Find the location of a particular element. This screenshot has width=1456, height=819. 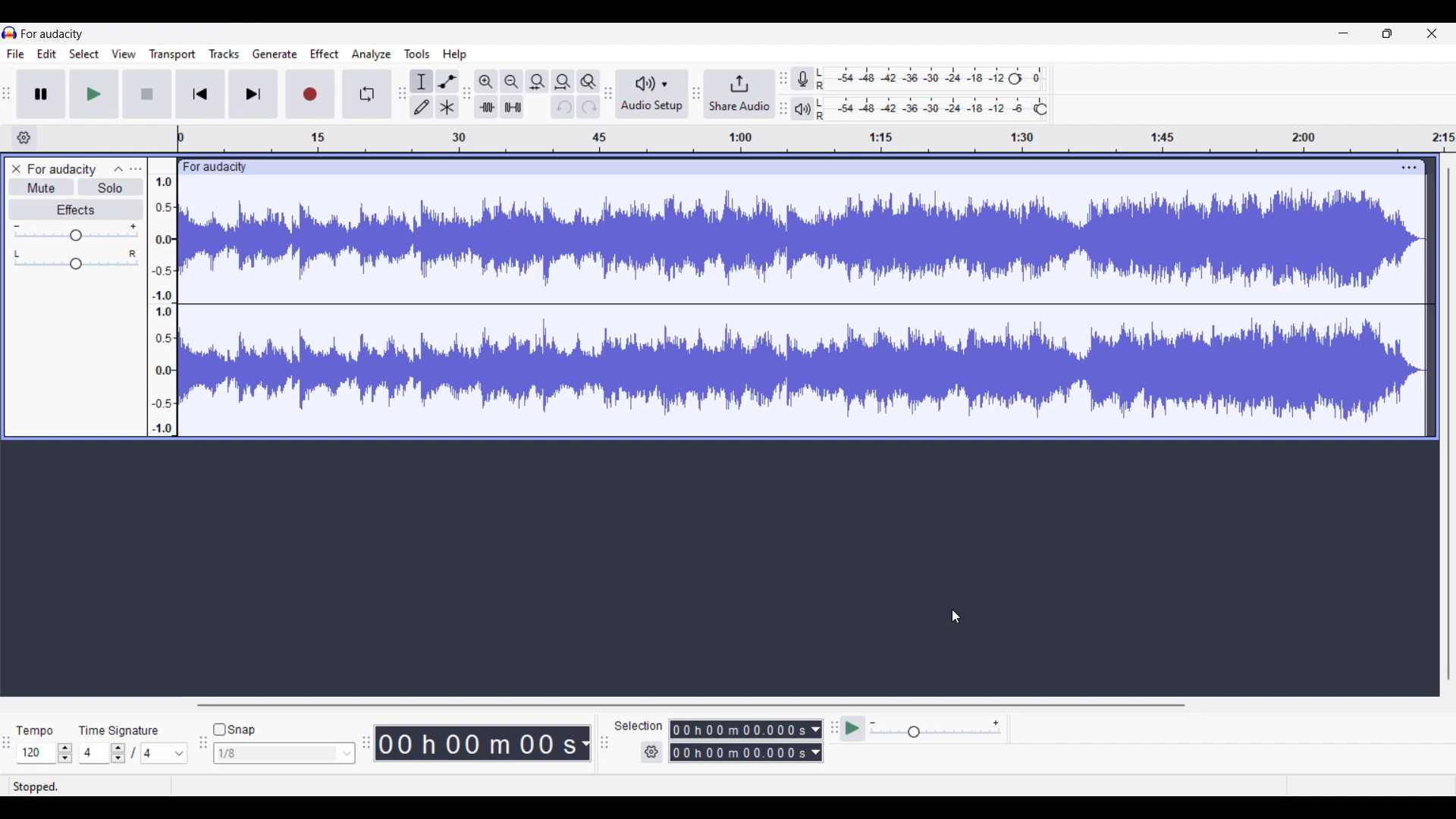

Current track is located at coordinates (802, 307).